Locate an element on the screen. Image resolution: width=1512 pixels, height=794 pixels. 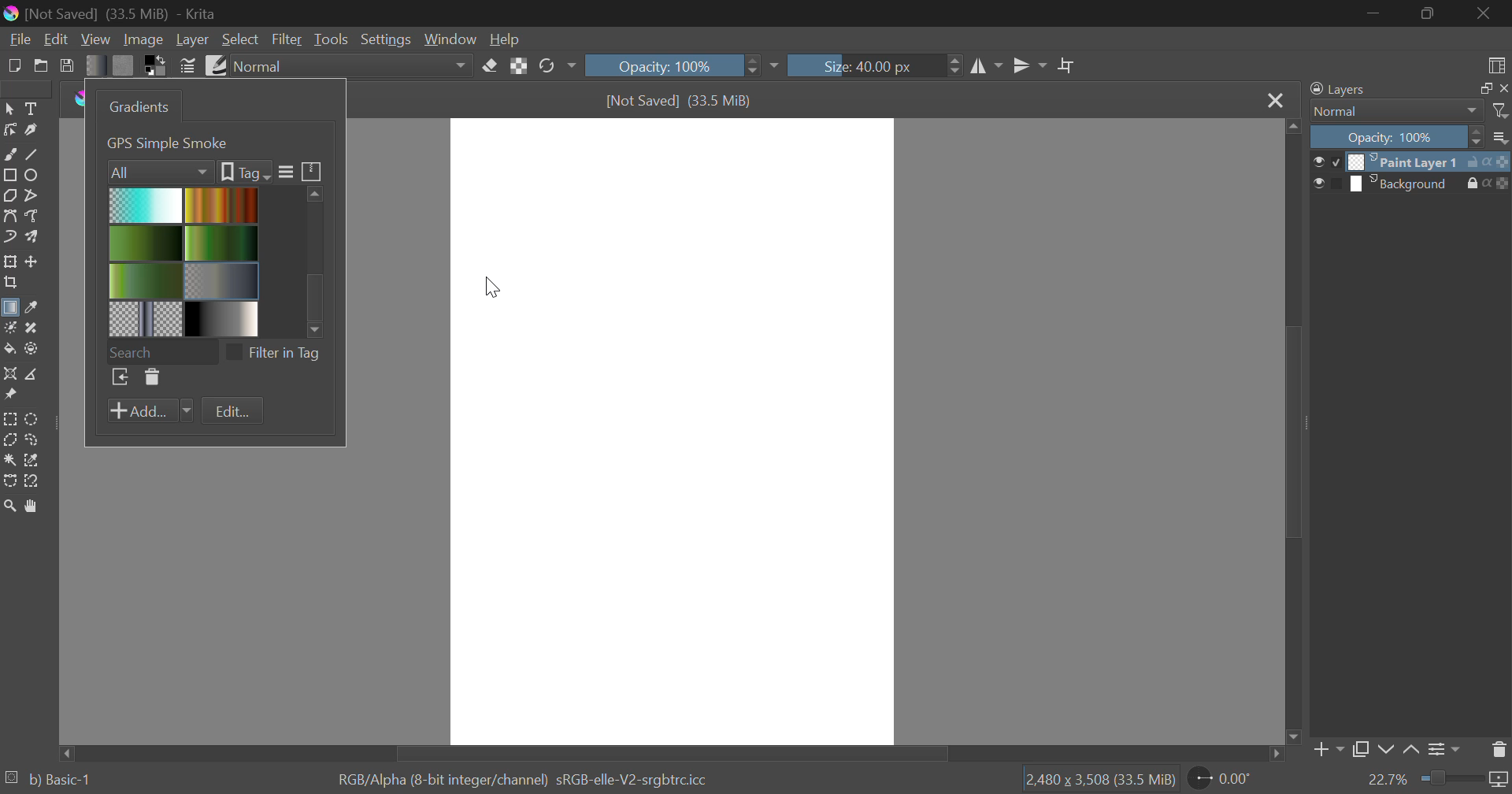
Gradient 4 is located at coordinates (222, 242).